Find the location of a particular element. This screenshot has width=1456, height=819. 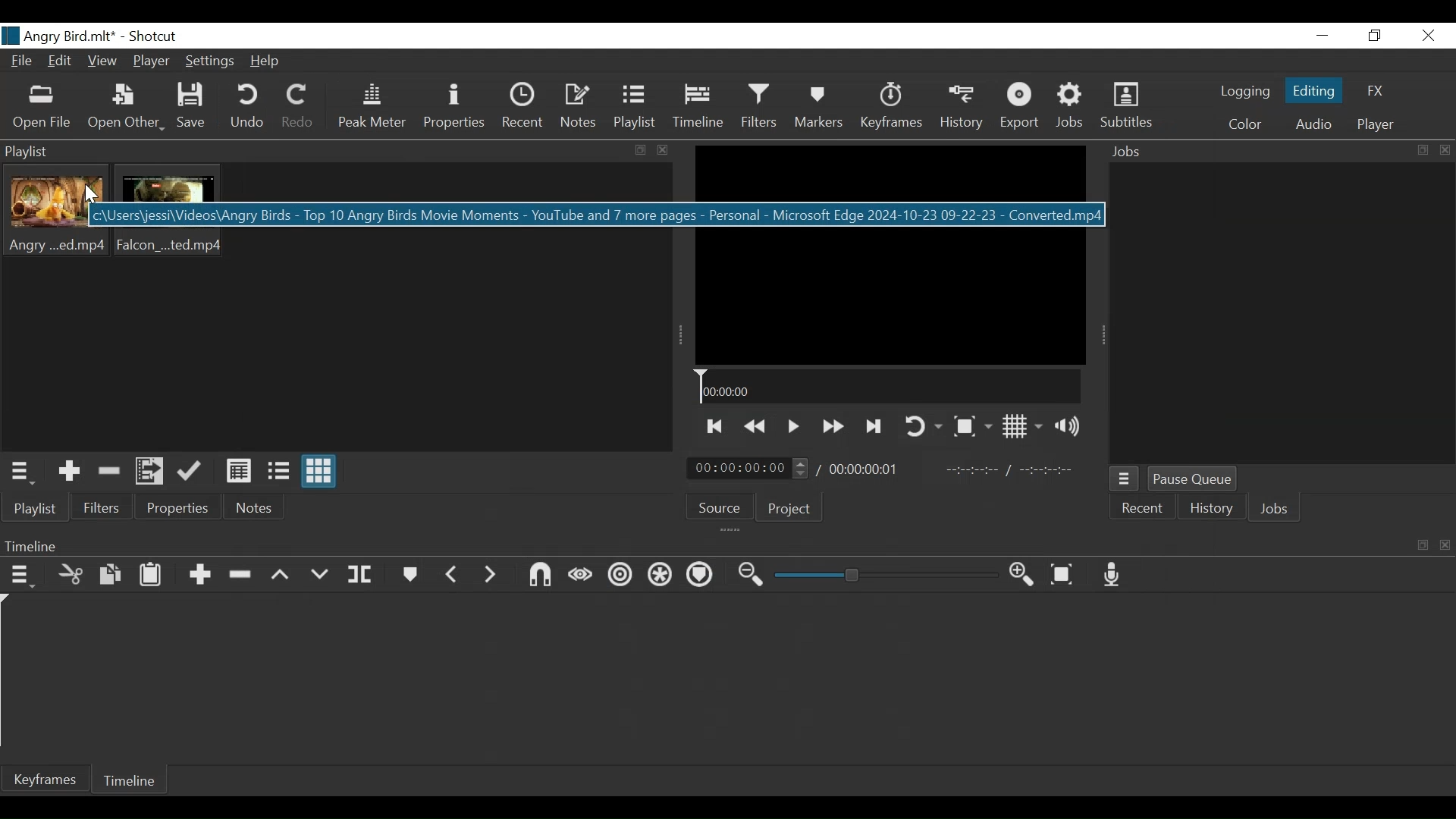

View is located at coordinates (102, 61).